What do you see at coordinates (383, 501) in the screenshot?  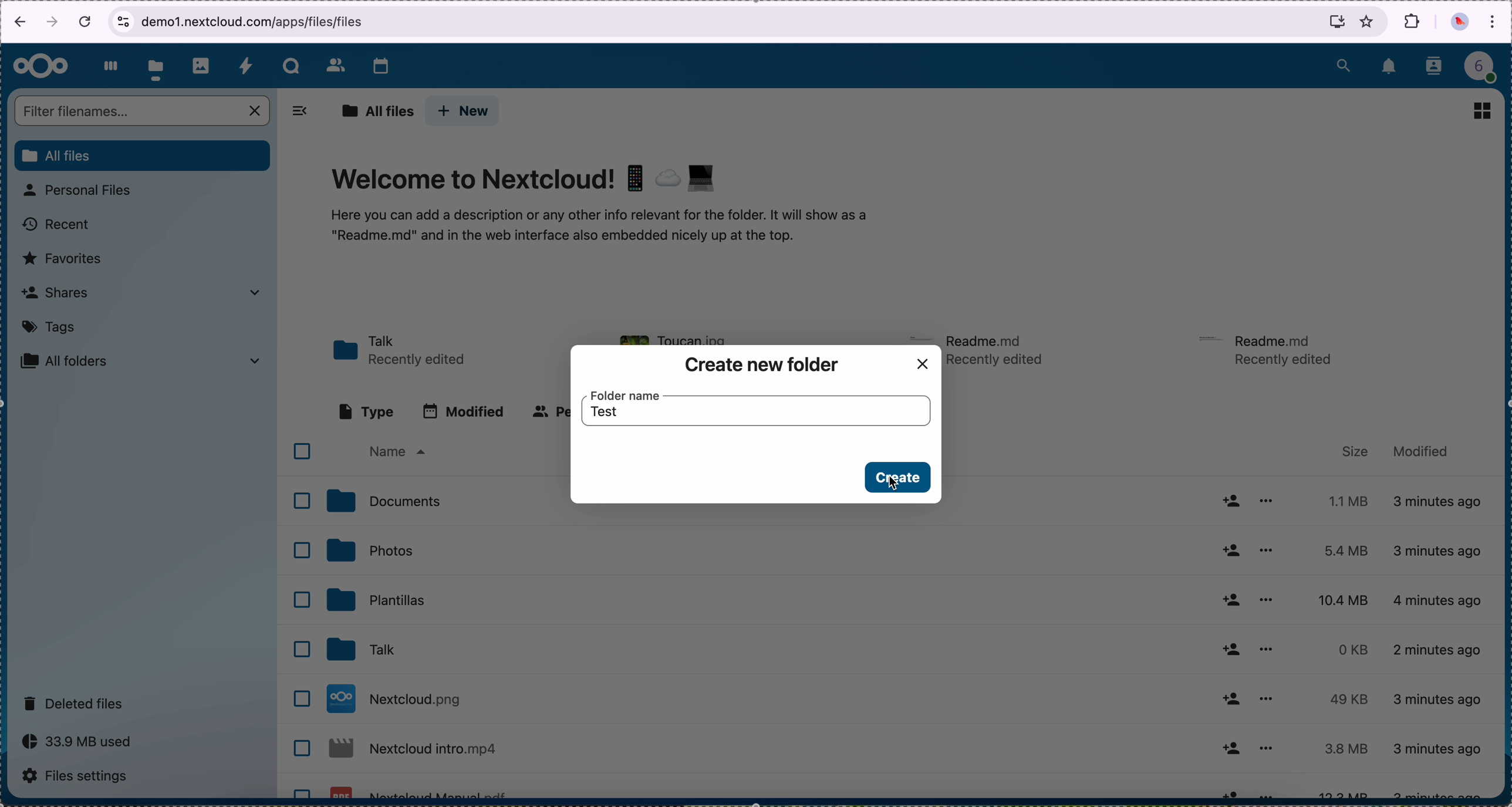 I see `documents` at bounding box center [383, 501].